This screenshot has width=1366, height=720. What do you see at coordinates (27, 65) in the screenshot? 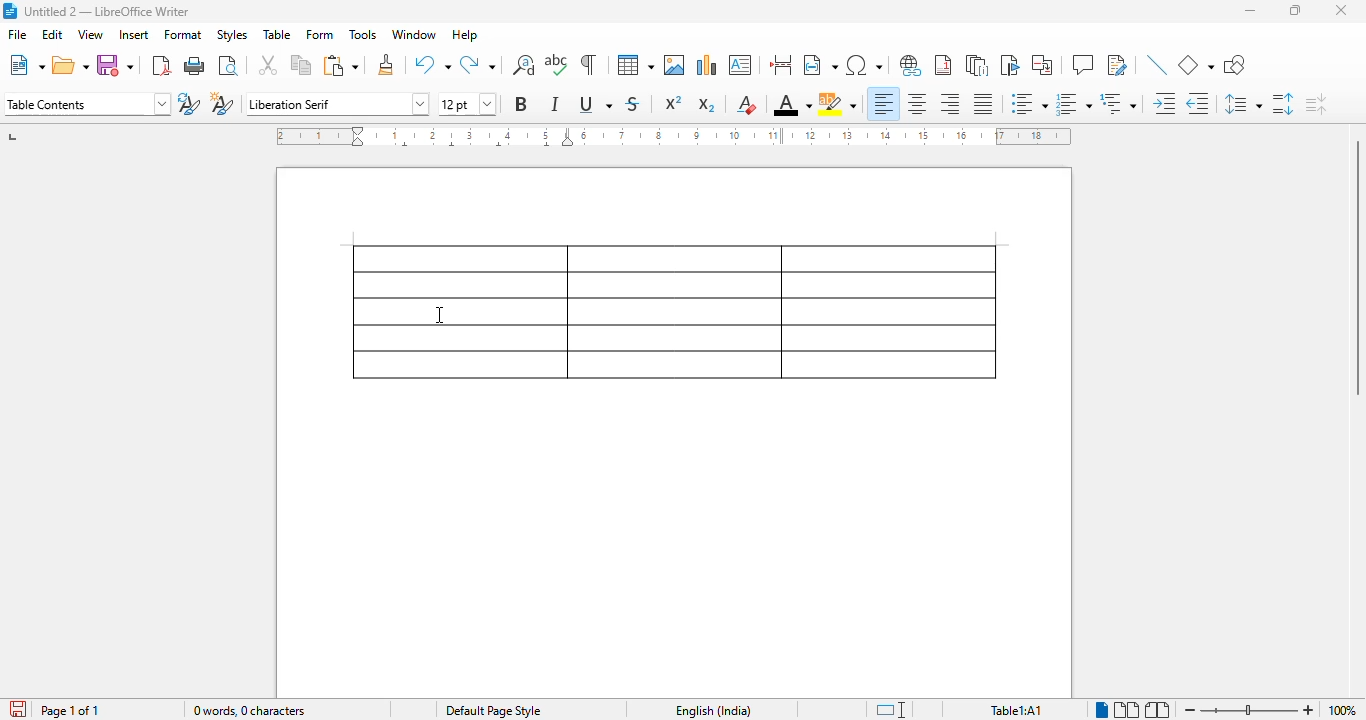
I see `new` at bounding box center [27, 65].